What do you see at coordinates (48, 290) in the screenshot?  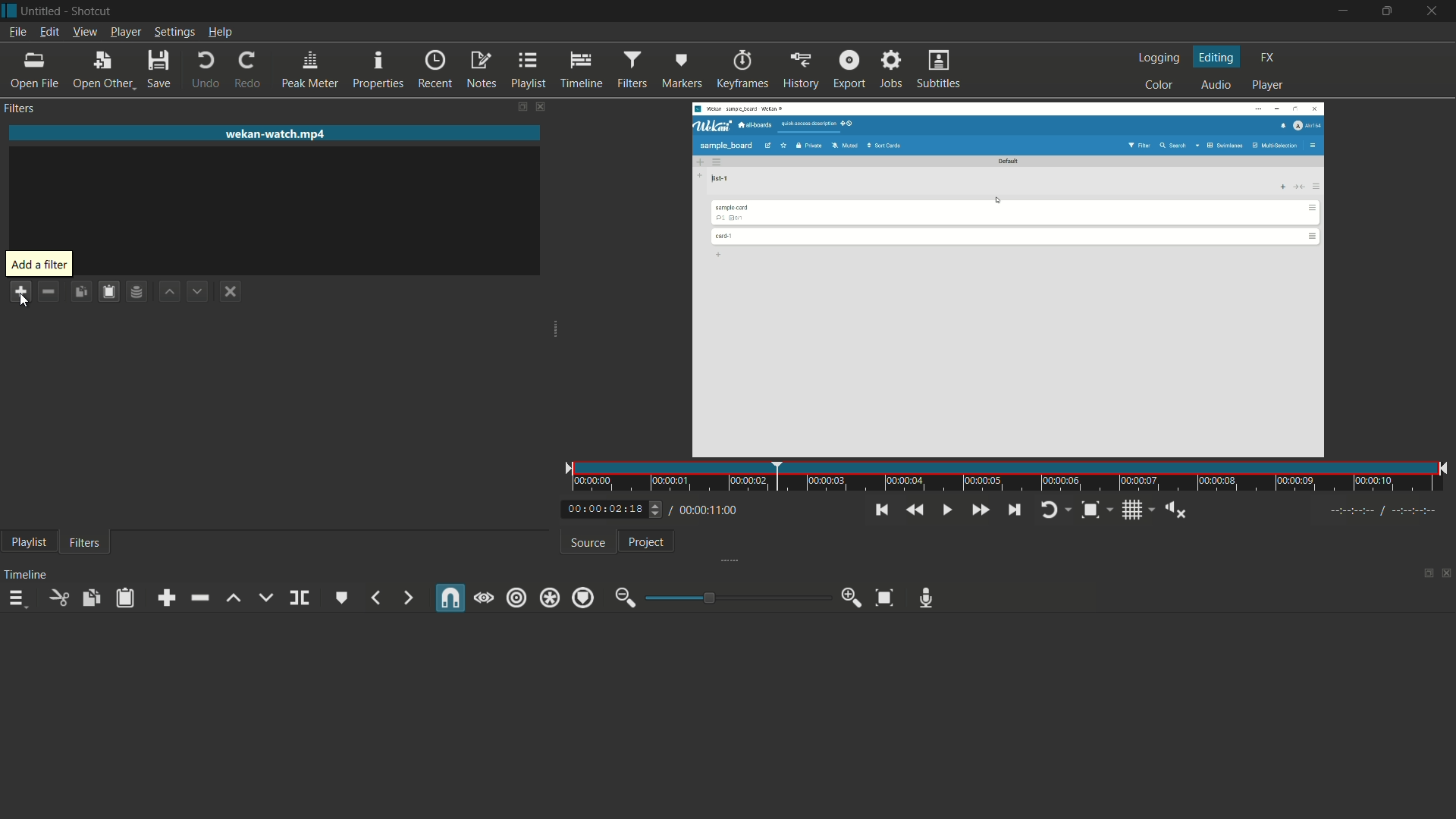 I see `remove the filter` at bounding box center [48, 290].